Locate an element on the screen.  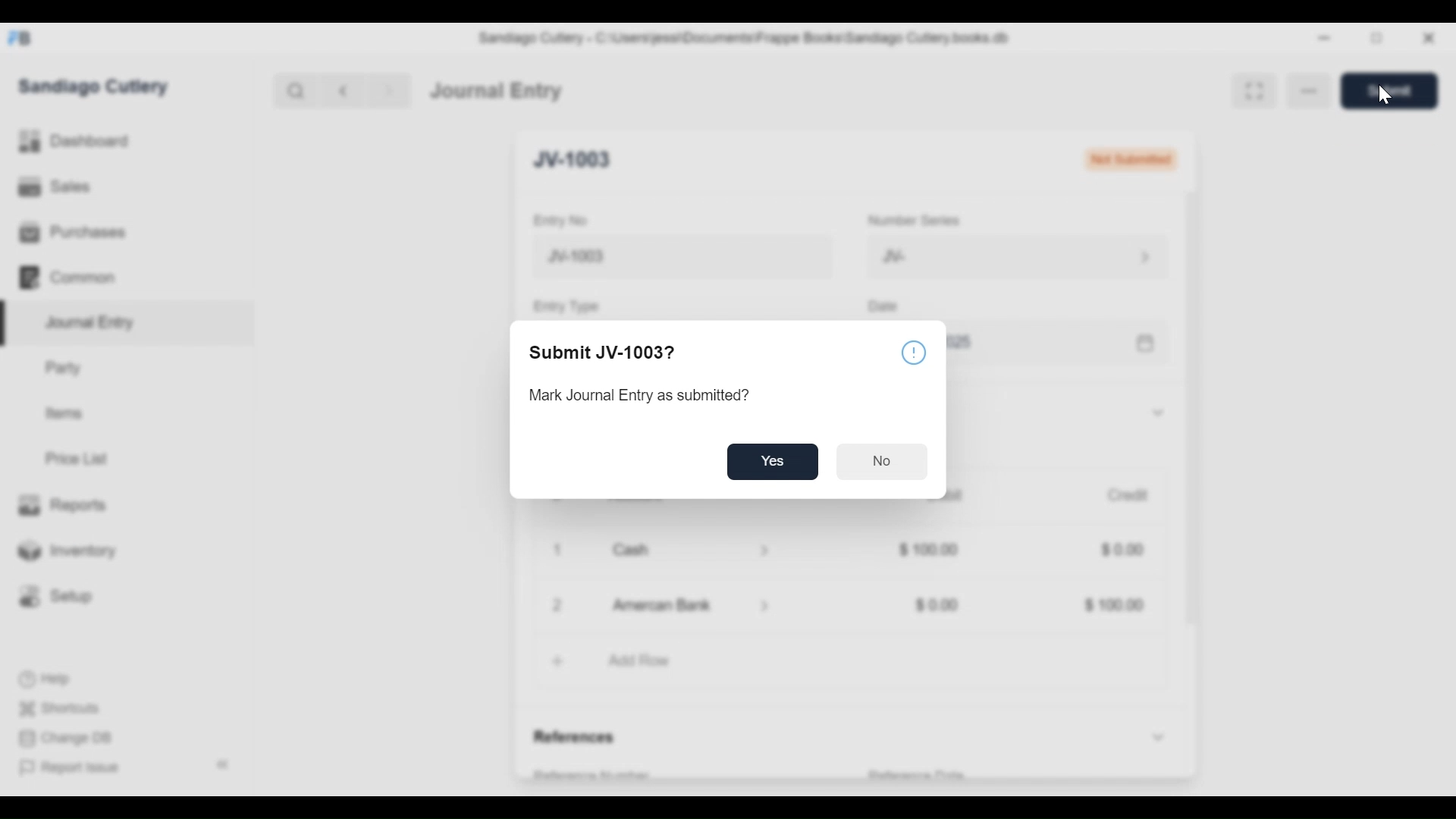
Mark Journal Entry as submitted? is located at coordinates (642, 395).